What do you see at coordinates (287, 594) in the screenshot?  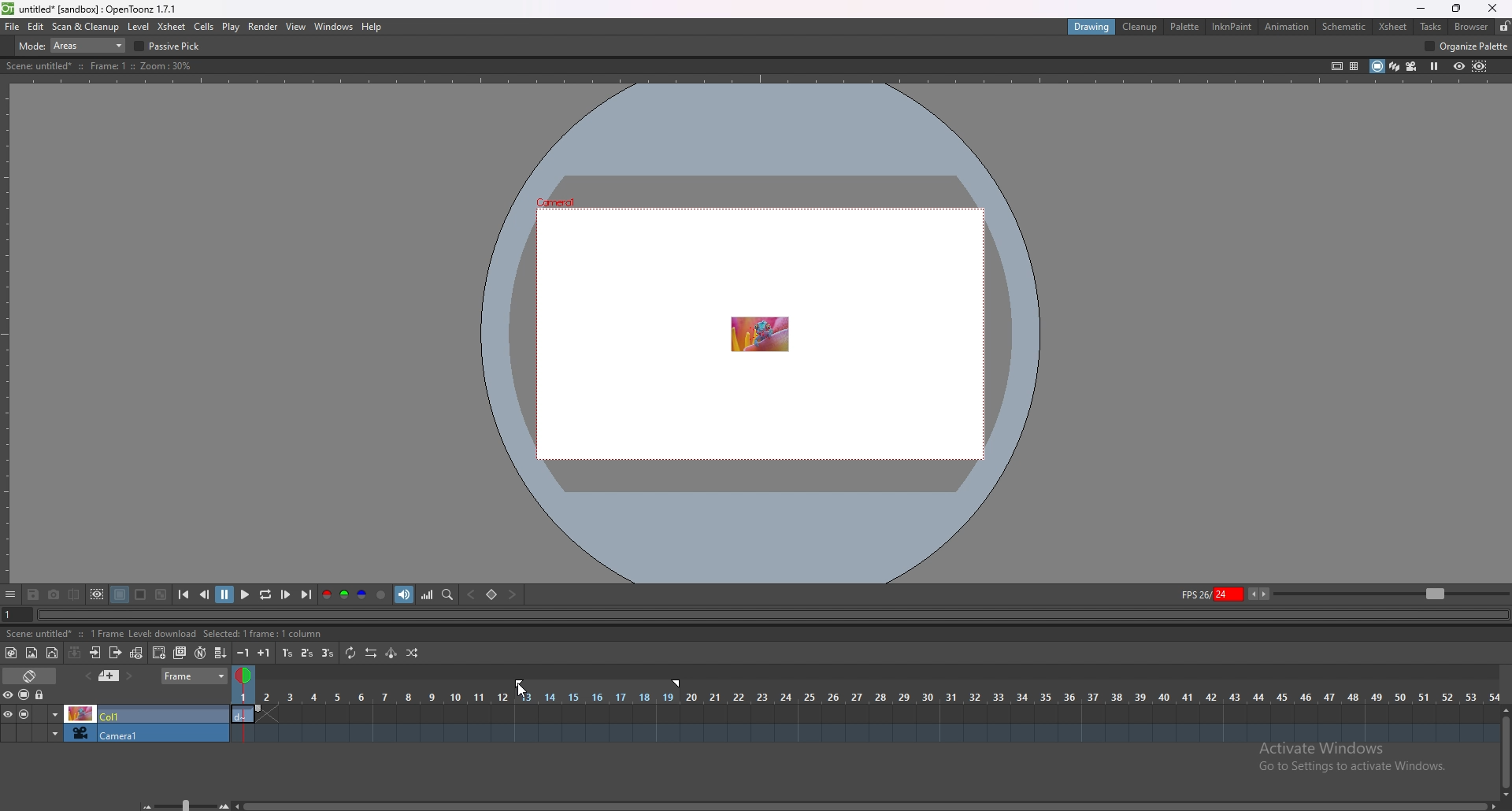 I see `next frame` at bounding box center [287, 594].